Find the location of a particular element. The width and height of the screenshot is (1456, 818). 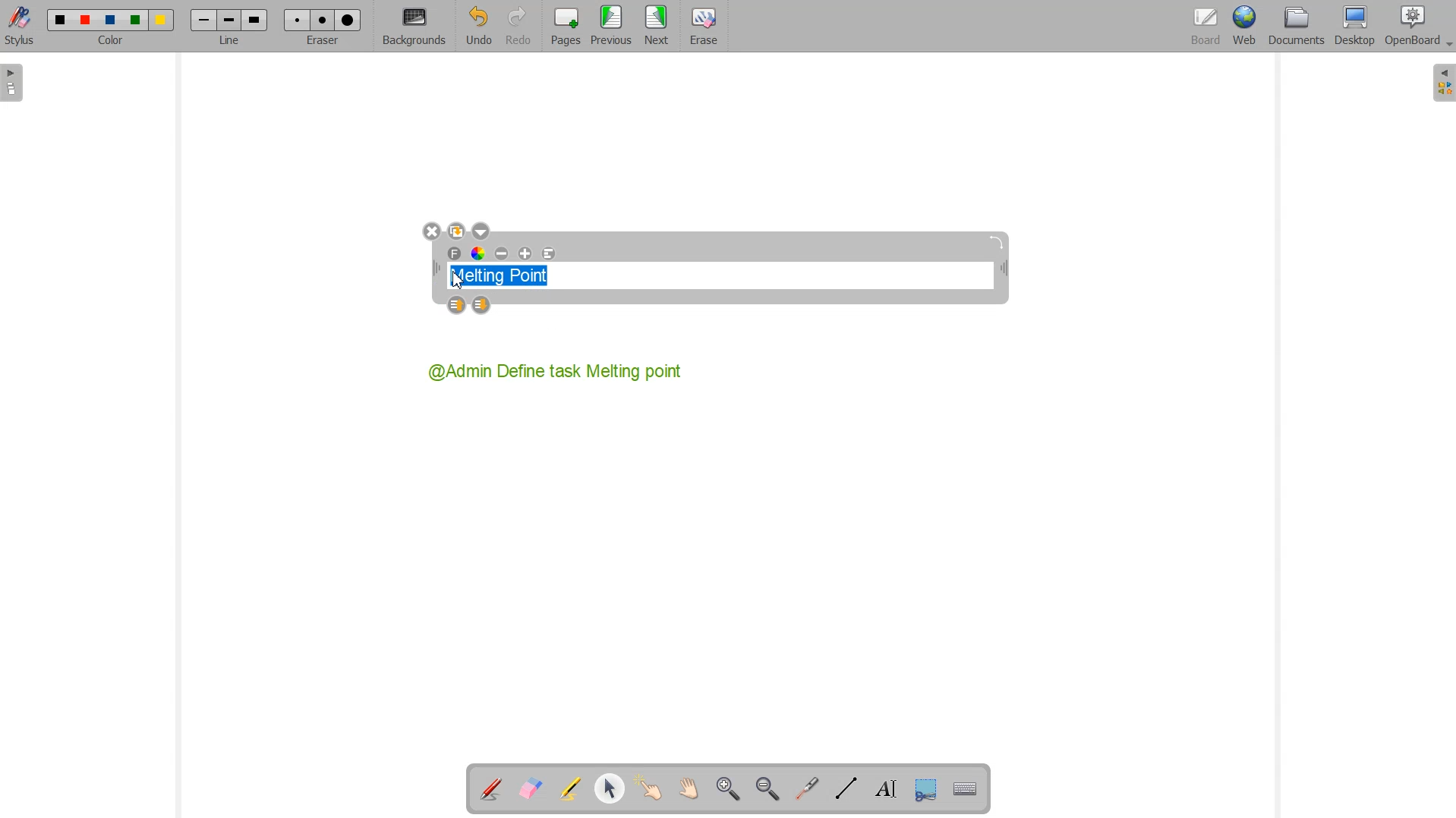

Capture part of the screen is located at coordinates (923, 788).